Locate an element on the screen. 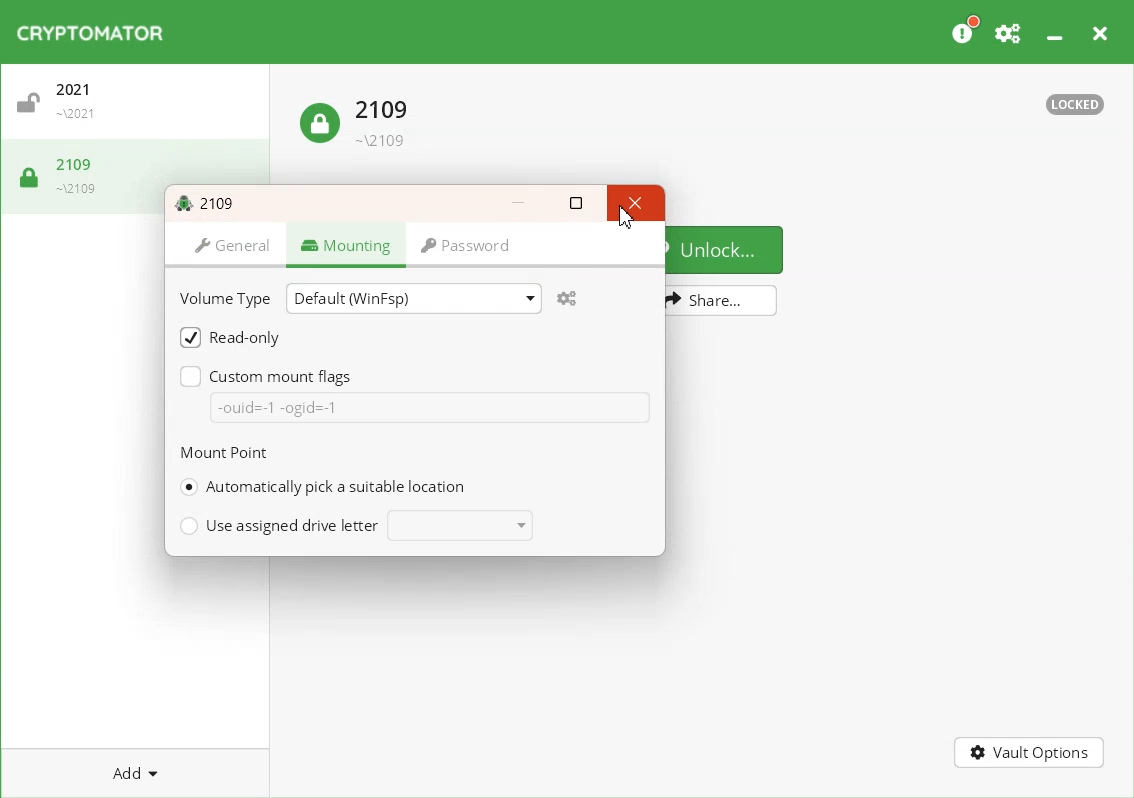 This screenshot has width=1134, height=798. Password is located at coordinates (469, 249).